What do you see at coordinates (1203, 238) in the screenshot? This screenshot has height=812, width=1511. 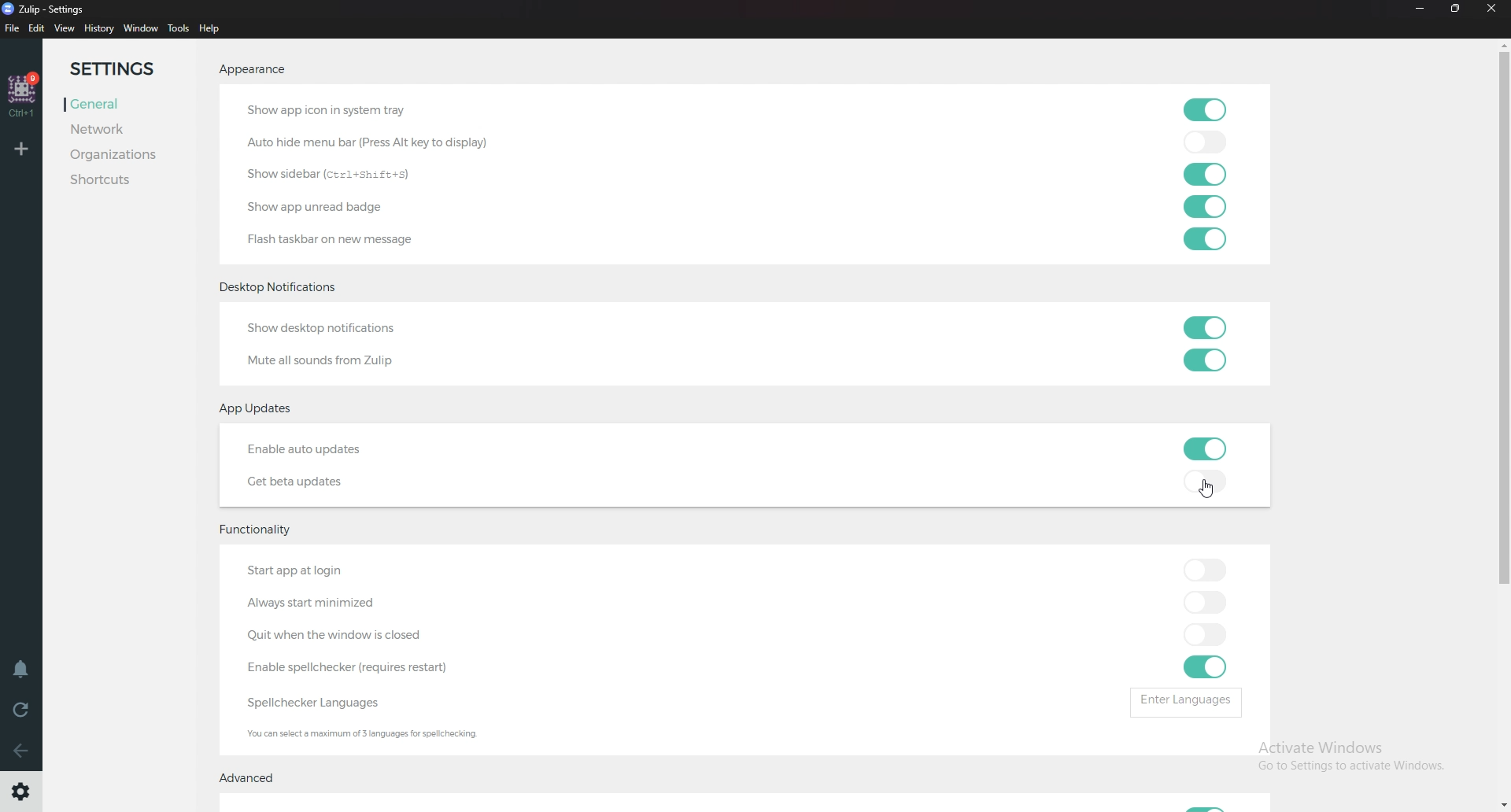 I see `toggle` at bounding box center [1203, 238].